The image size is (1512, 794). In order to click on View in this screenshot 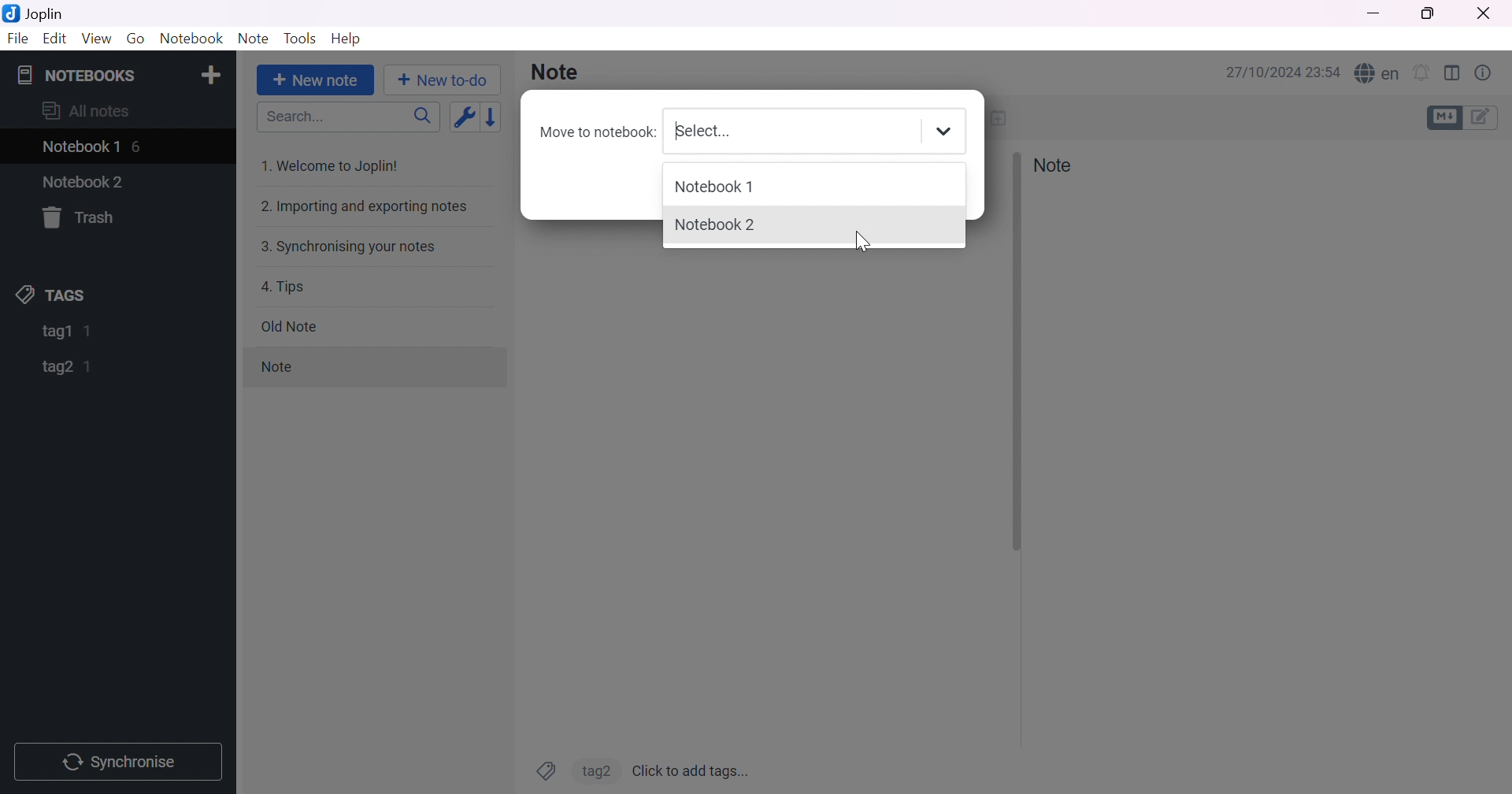, I will do `click(98, 39)`.